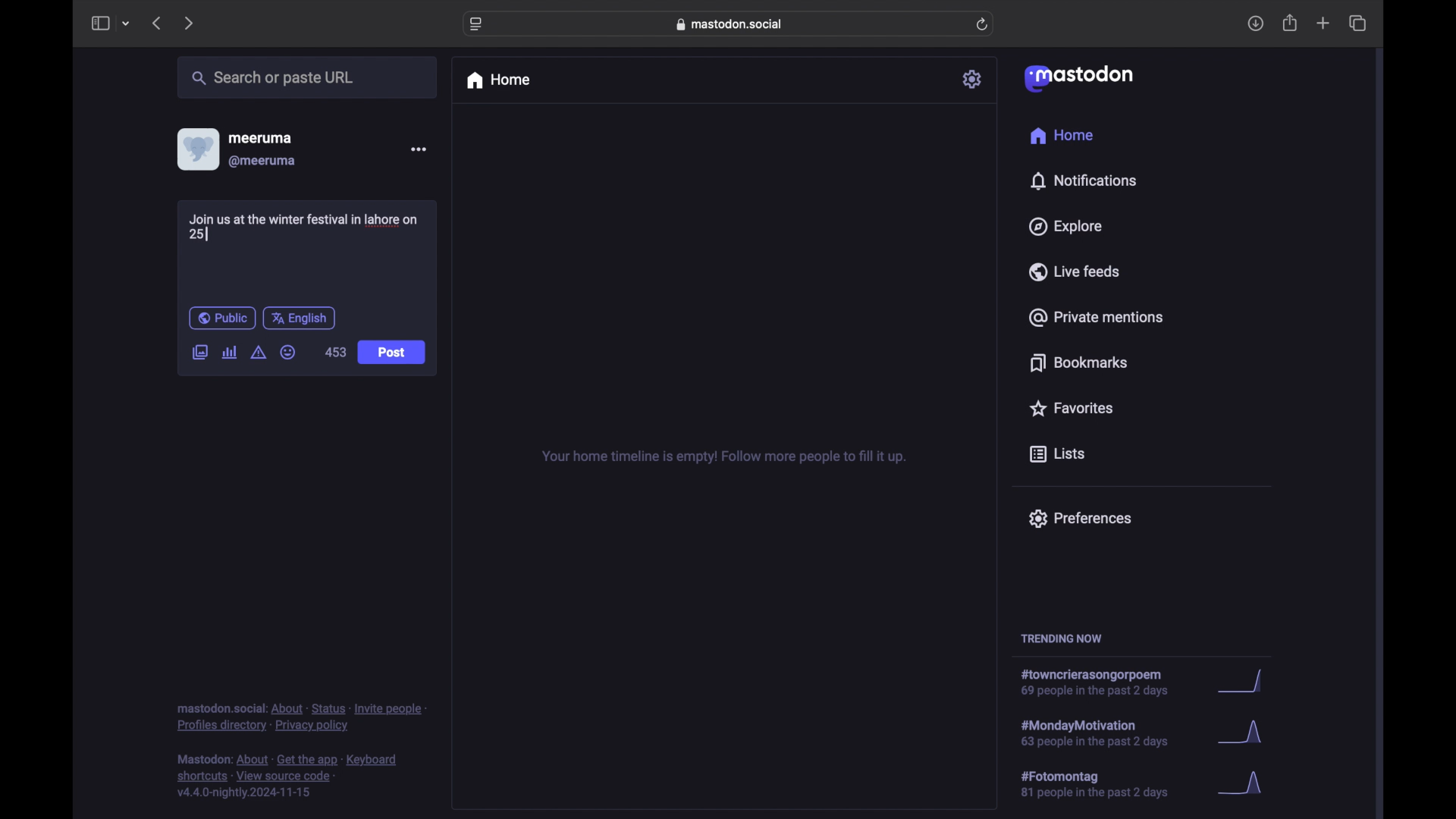 The image size is (1456, 819). Describe the element at coordinates (258, 353) in the screenshot. I see `add content warning` at that location.